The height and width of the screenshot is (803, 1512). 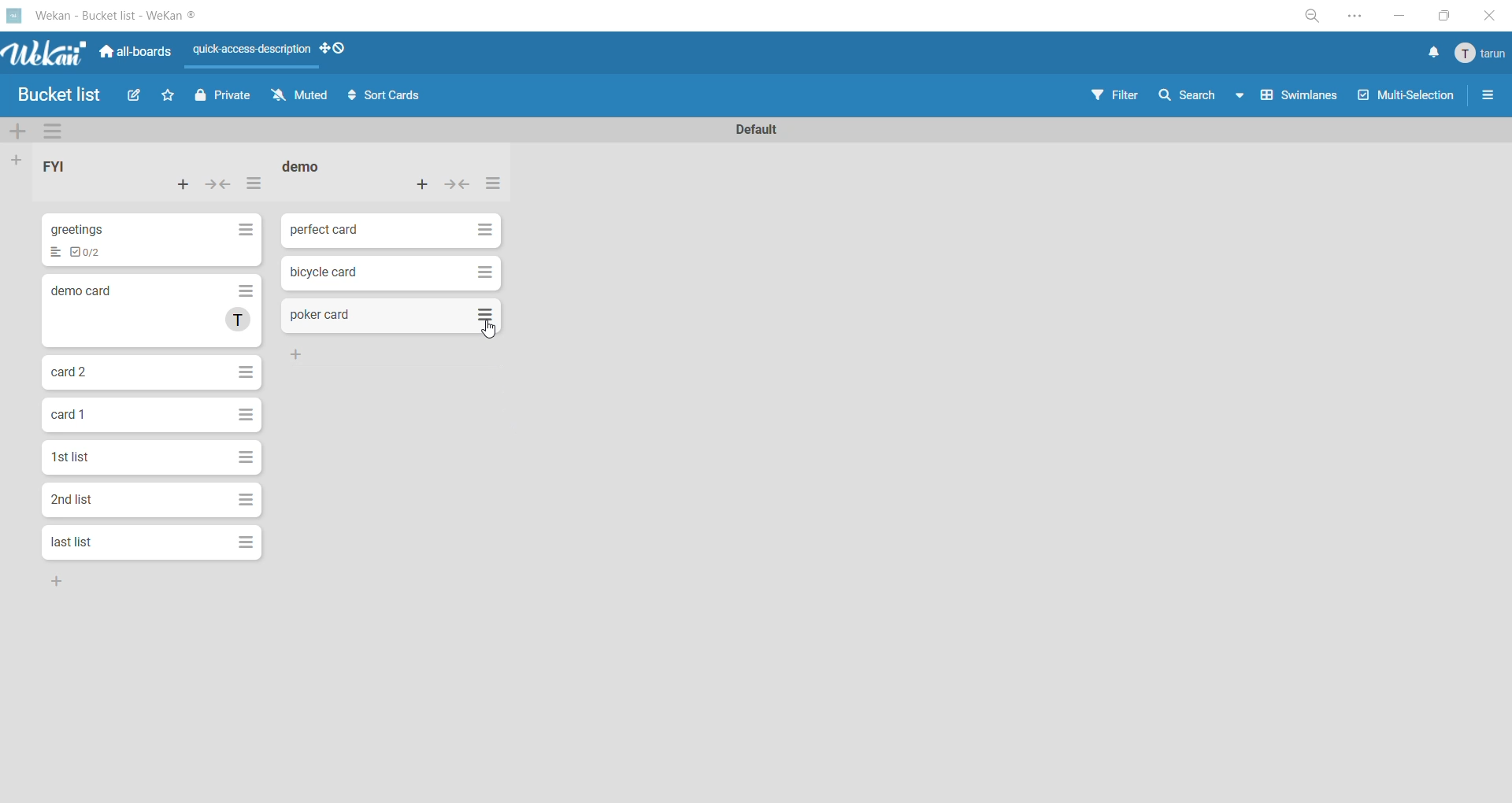 What do you see at coordinates (326, 229) in the screenshot?
I see `perfect card` at bounding box center [326, 229].